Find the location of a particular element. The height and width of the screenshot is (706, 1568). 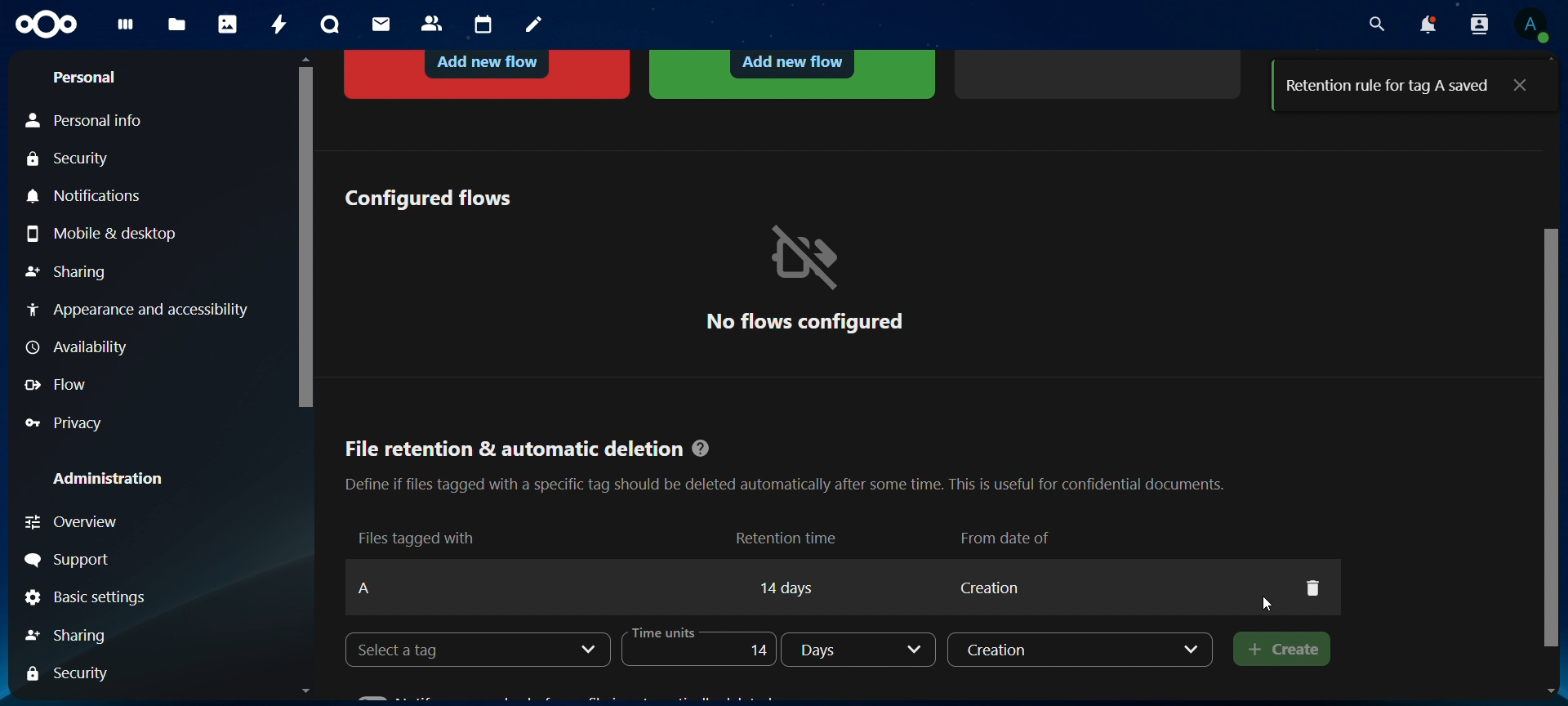

block access to a file is located at coordinates (489, 72).